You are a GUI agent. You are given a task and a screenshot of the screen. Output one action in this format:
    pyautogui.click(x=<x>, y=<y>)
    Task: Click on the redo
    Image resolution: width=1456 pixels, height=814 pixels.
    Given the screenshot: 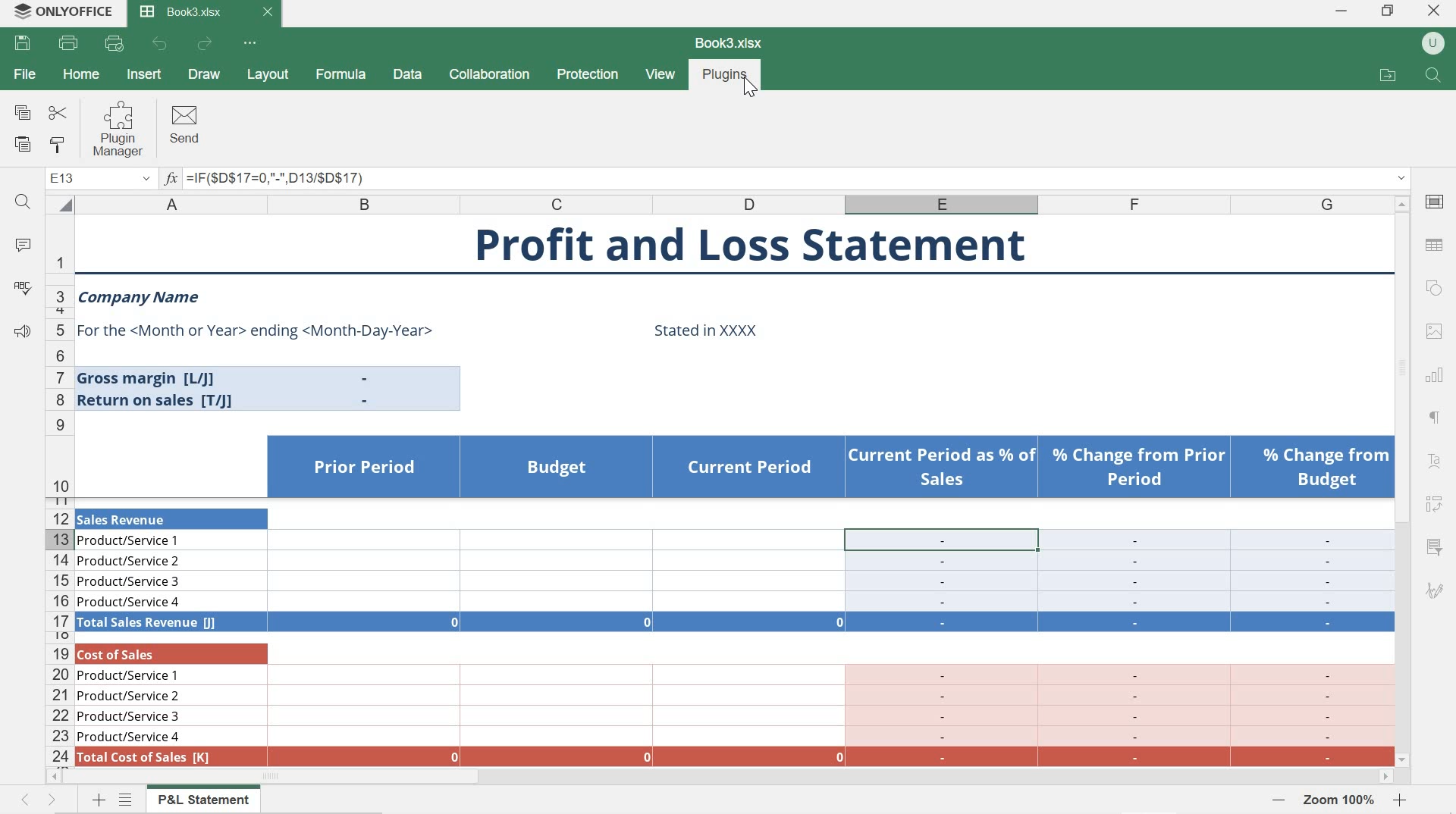 What is the action you would take?
    pyautogui.click(x=206, y=45)
    